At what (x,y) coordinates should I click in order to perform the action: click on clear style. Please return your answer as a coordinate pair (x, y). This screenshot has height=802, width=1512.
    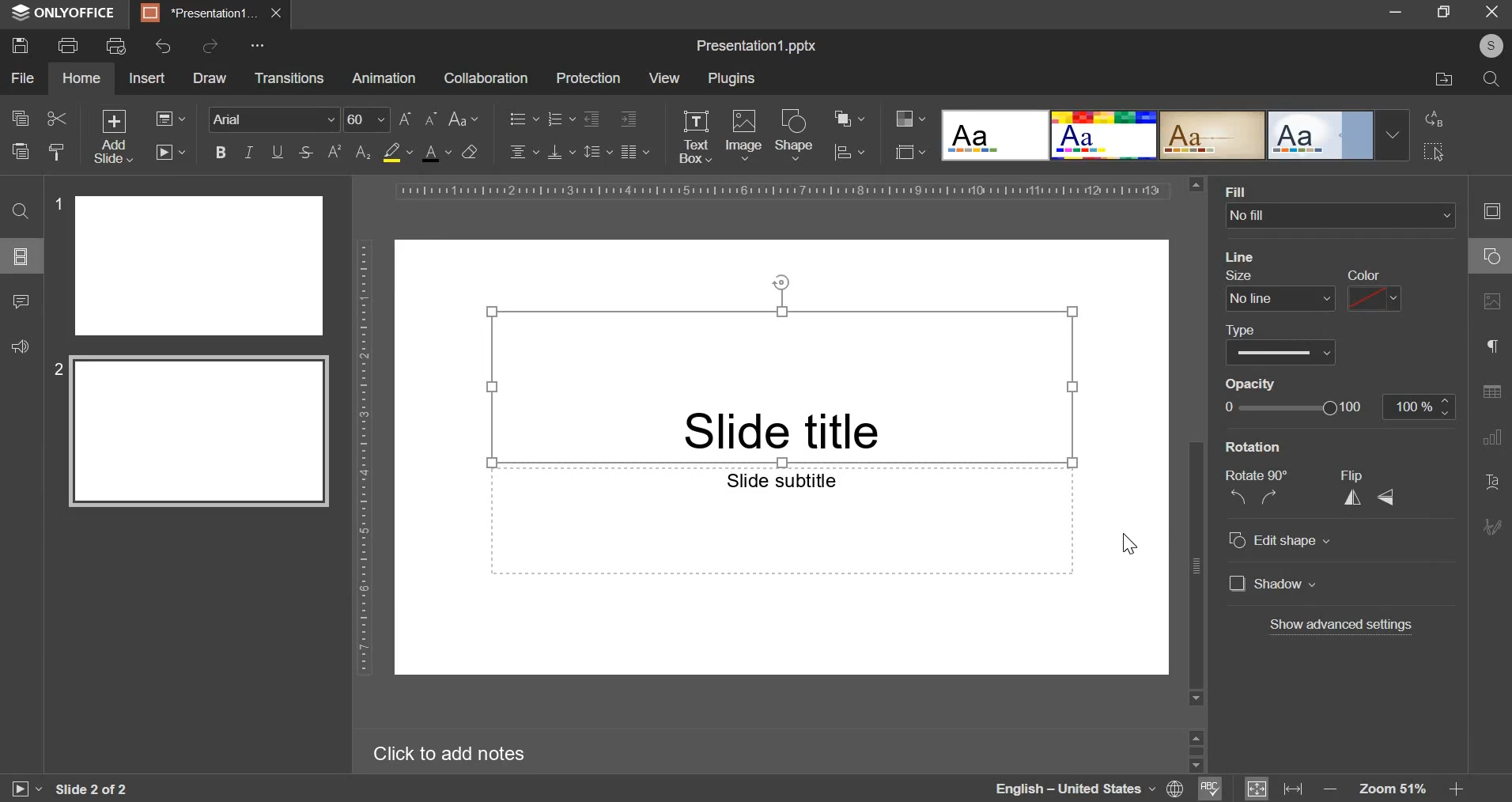
    Looking at the image, I should click on (470, 151).